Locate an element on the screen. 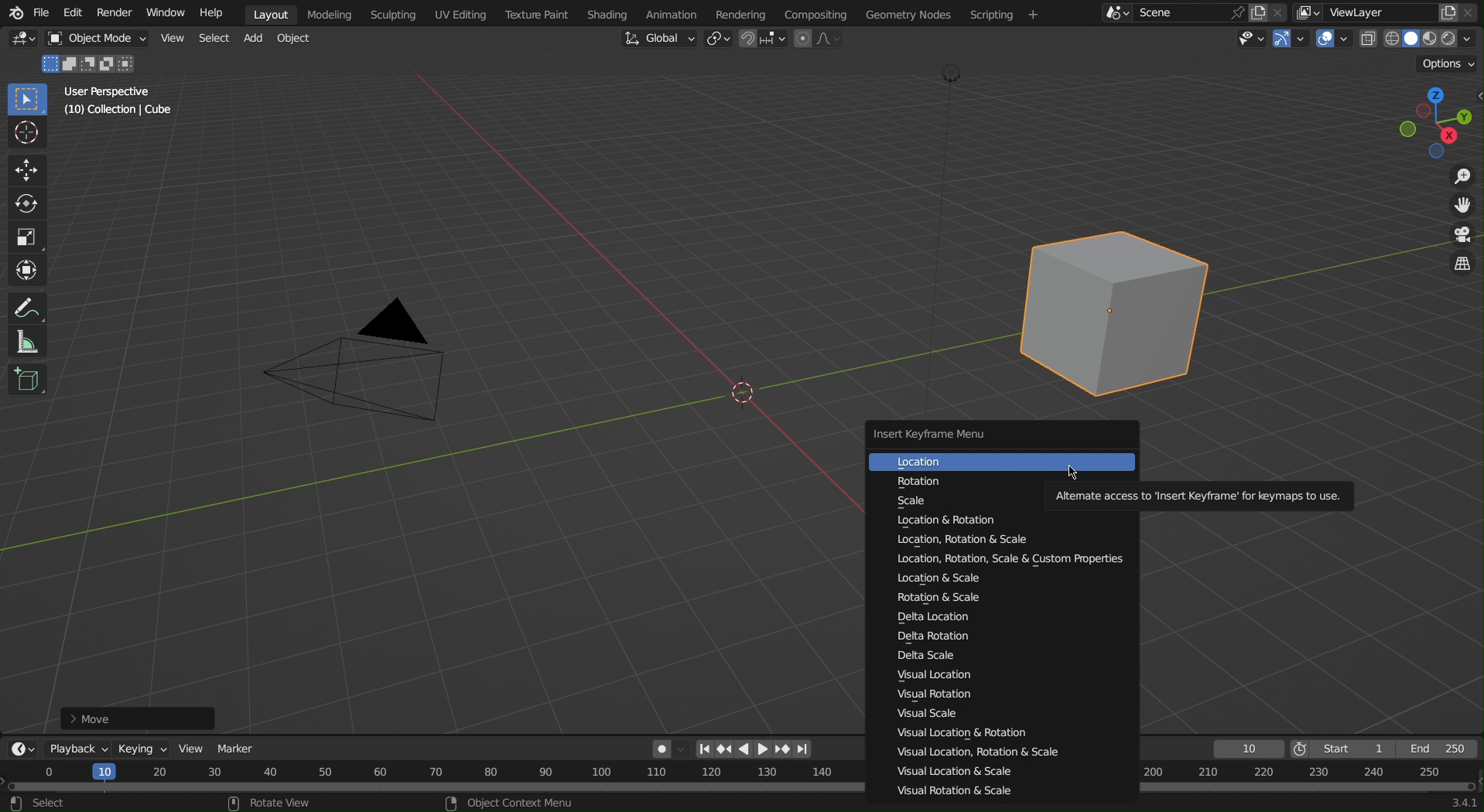 Image resolution: width=1484 pixels, height=812 pixels. Location & Scale is located at coordinates (940, 580).